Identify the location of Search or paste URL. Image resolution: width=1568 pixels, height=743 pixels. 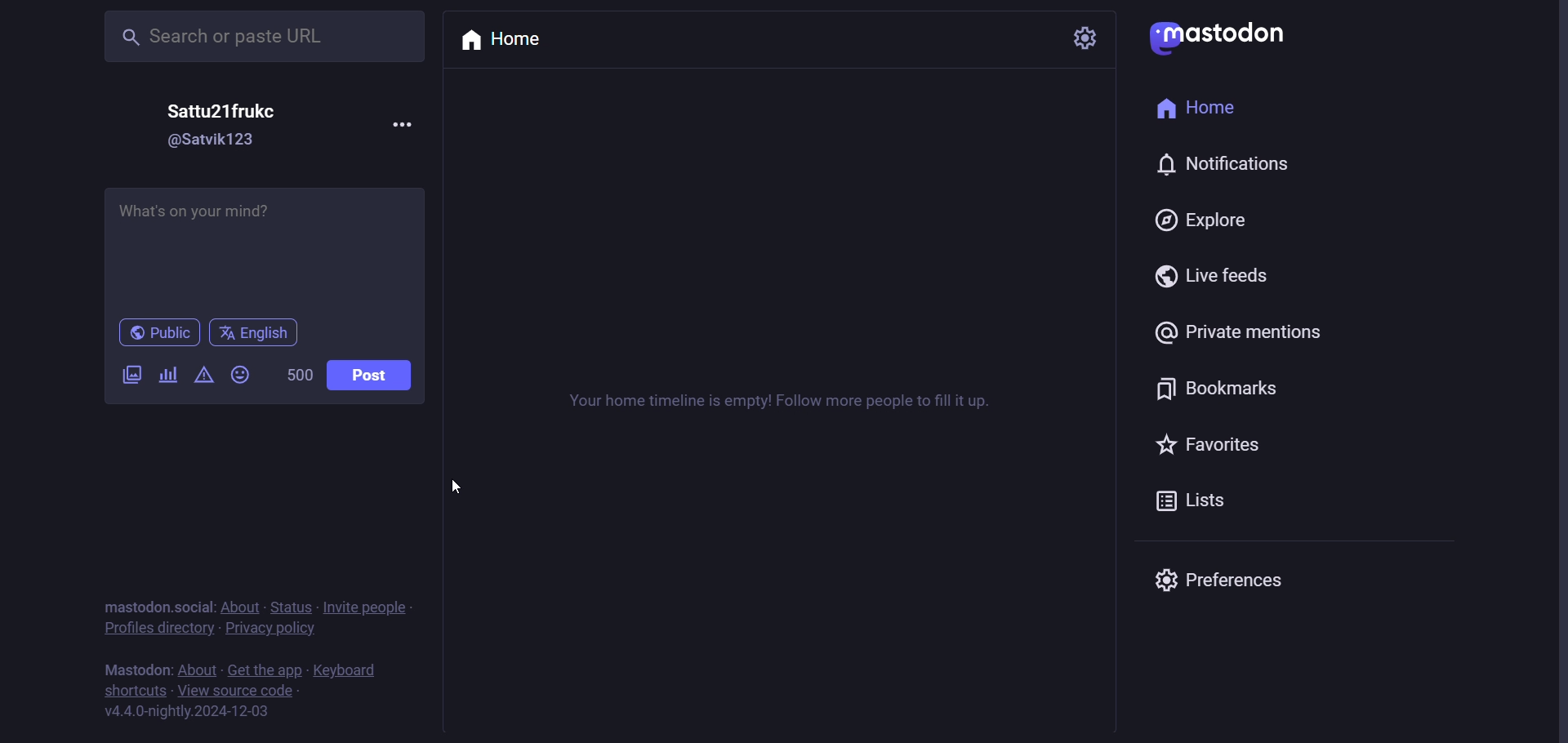
(247, 36).